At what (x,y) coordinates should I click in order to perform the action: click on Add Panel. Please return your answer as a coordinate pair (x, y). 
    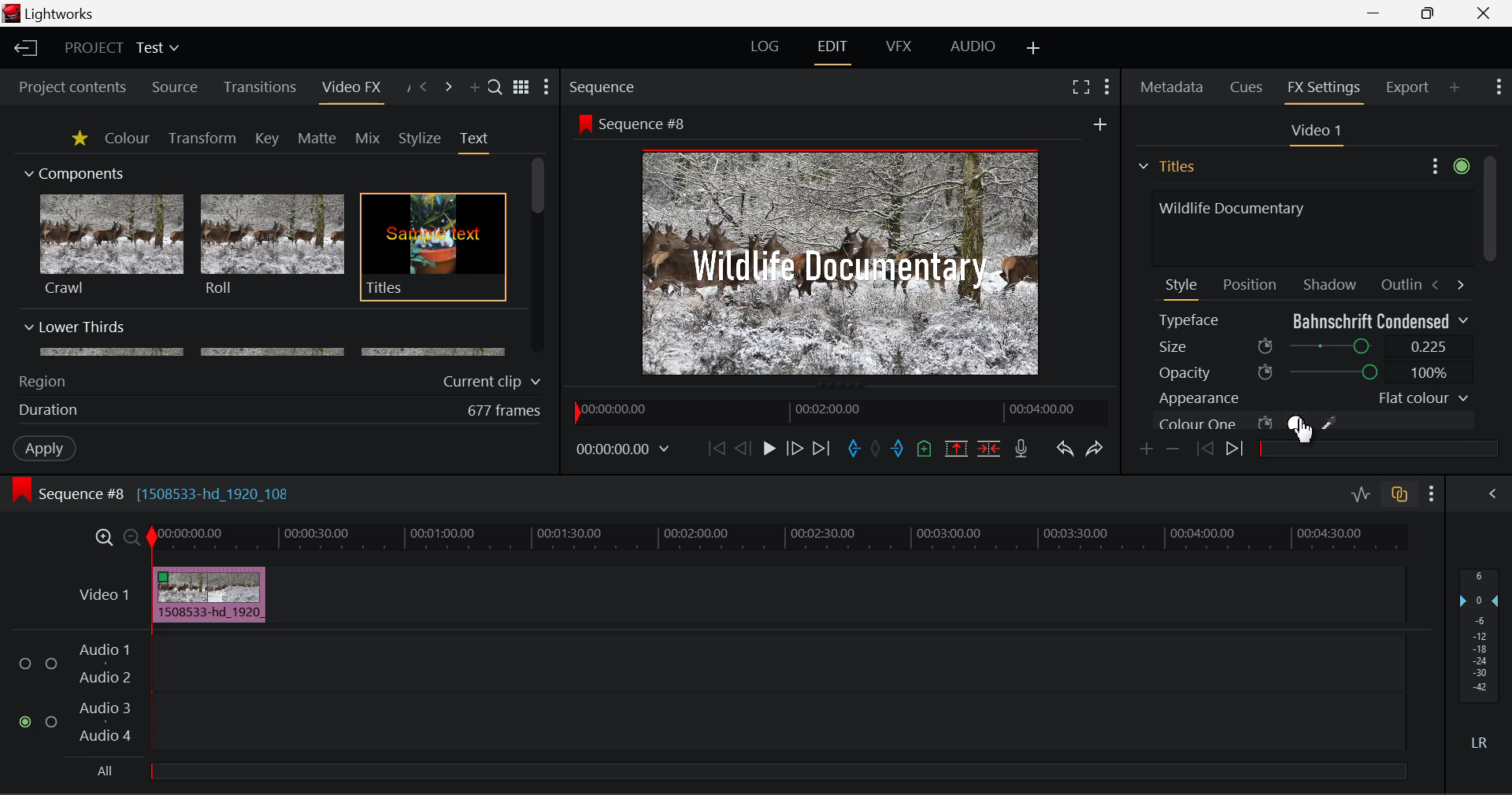
    Looking at the image, I should click on (1455, 87).